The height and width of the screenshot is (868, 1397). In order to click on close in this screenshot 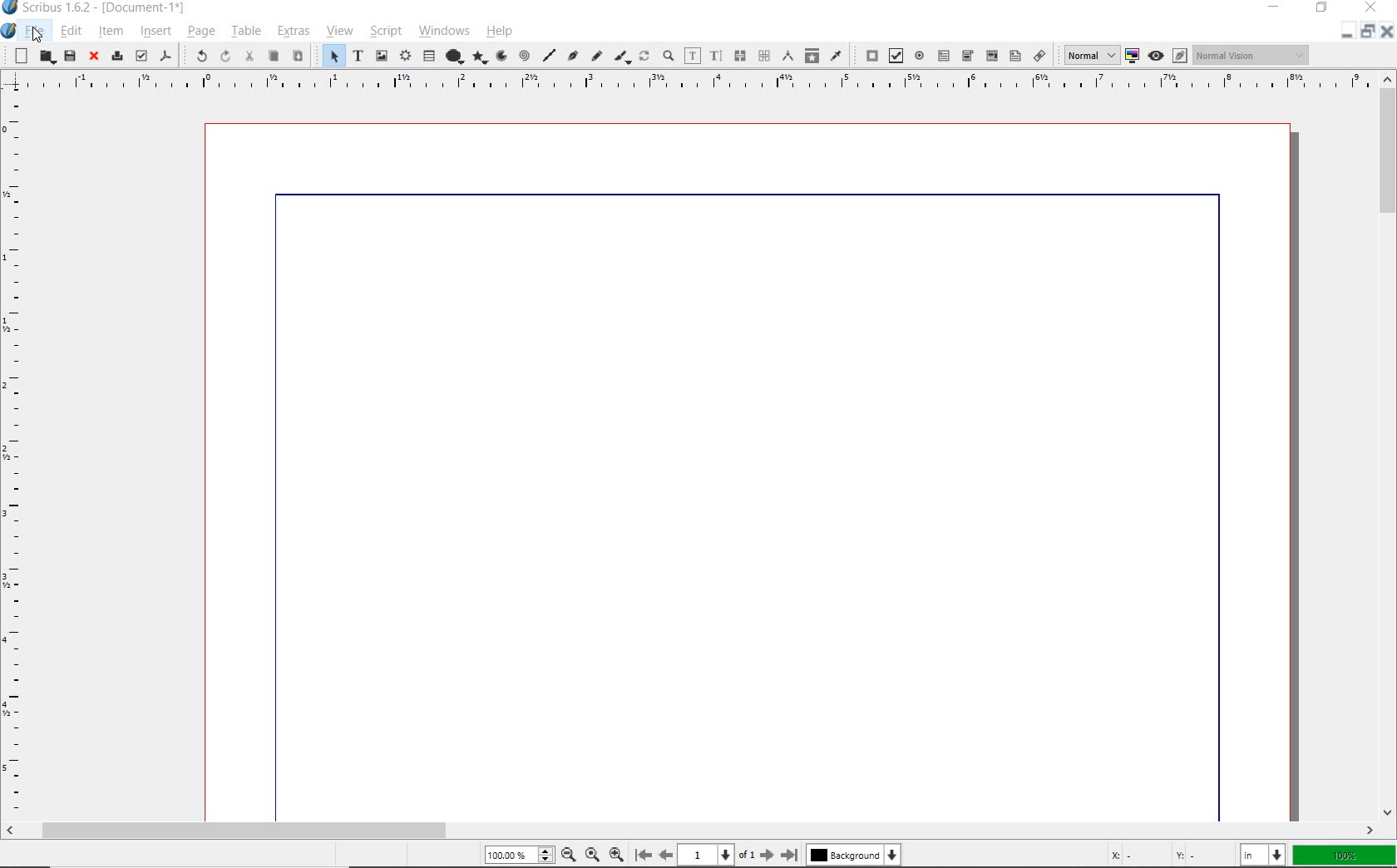, I will do `click(93, 57)`.